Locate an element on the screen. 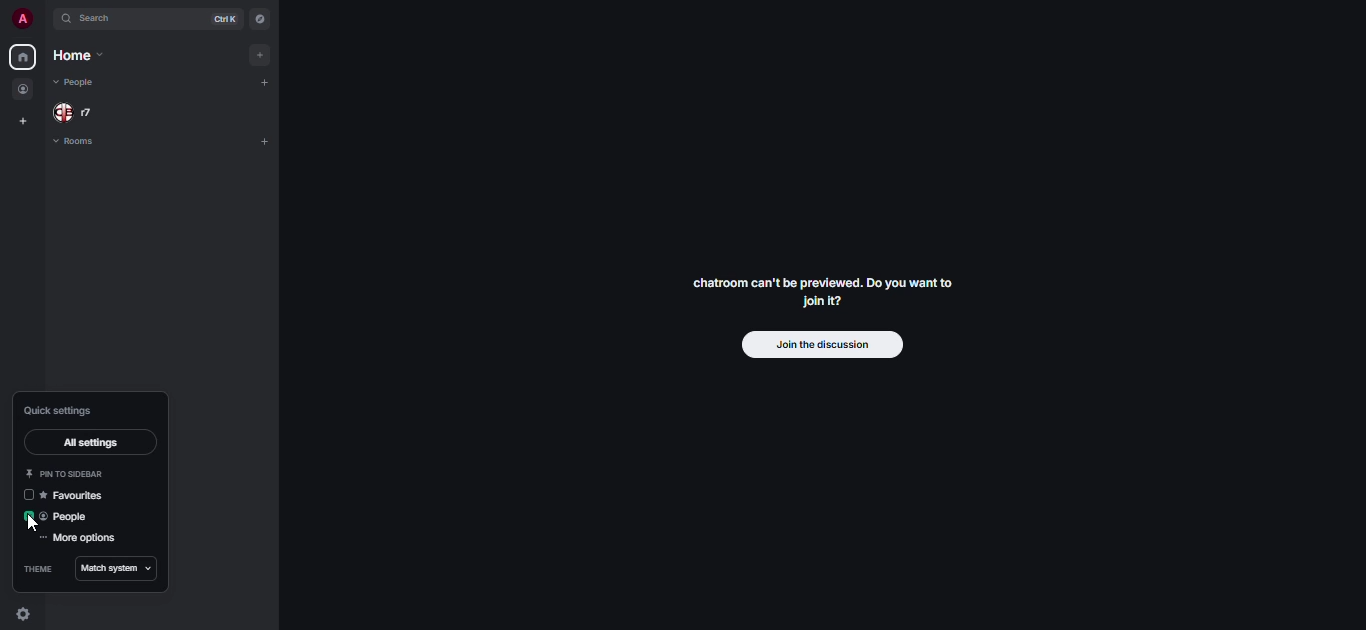  add is located at coordinates (271, 84).